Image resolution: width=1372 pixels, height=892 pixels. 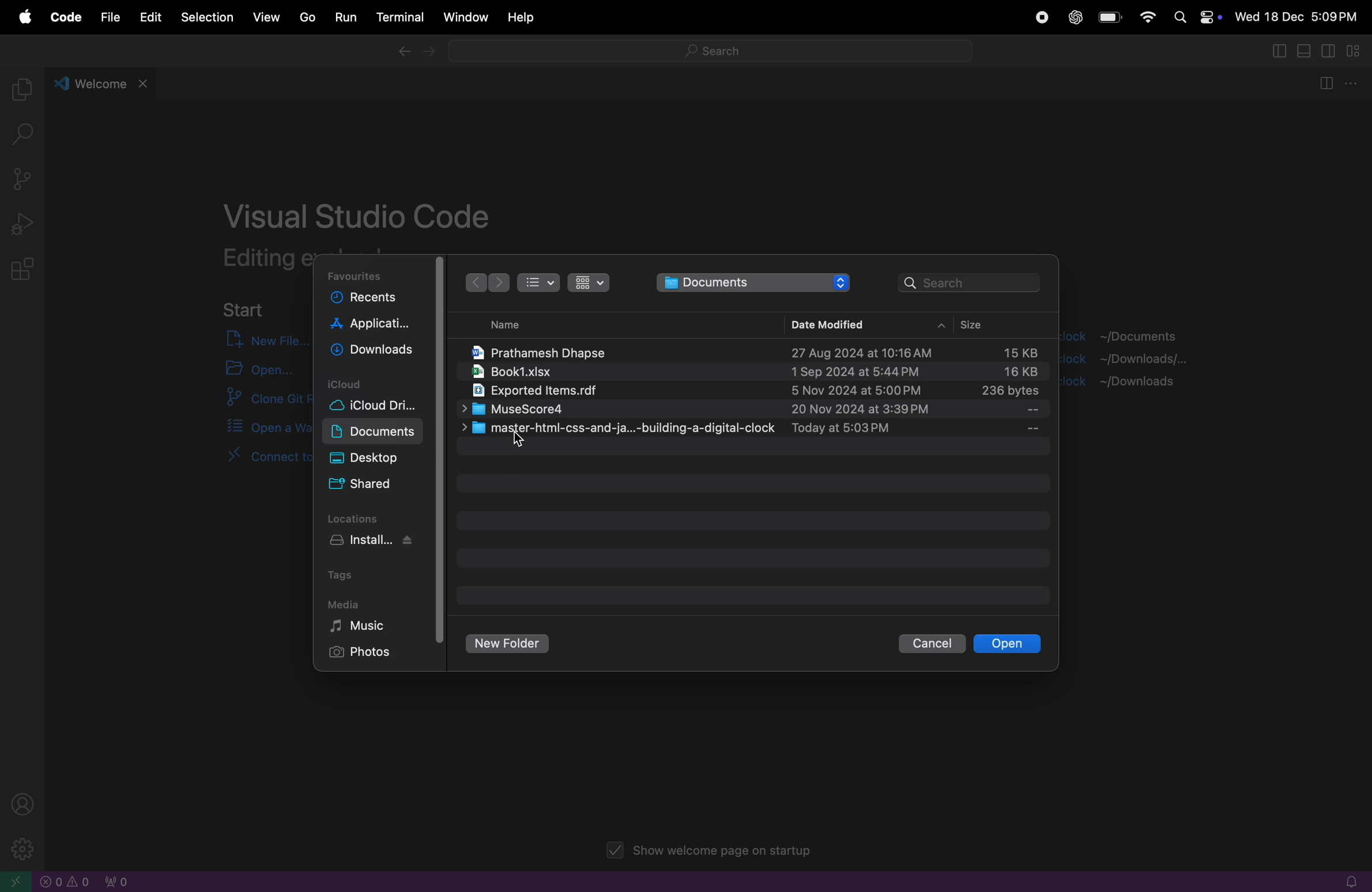 I want to click on chatgpt, so click(x=1075, y=18).